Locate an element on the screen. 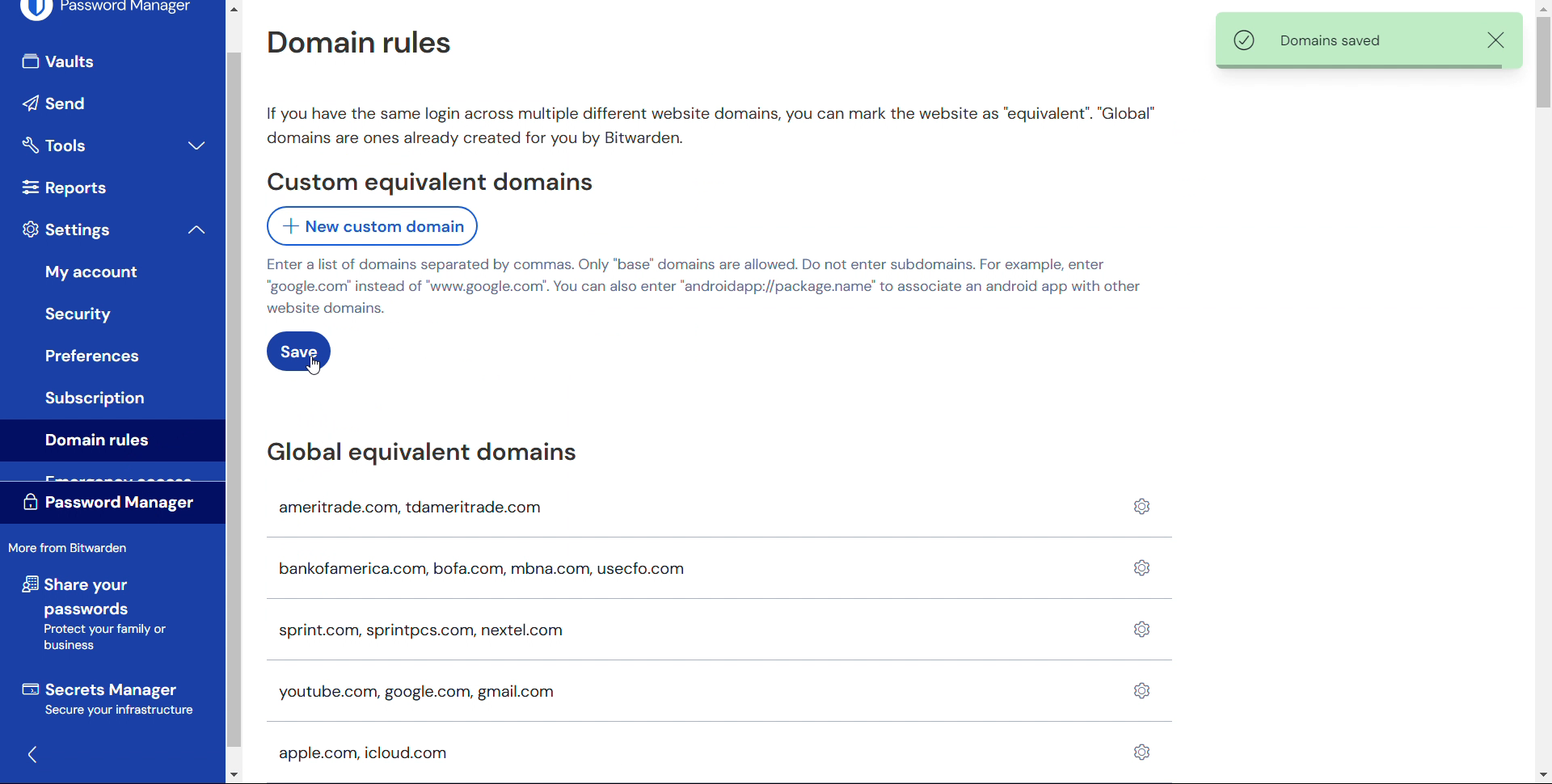  apple.com, icloud.com is located at coordinates (361, 755).